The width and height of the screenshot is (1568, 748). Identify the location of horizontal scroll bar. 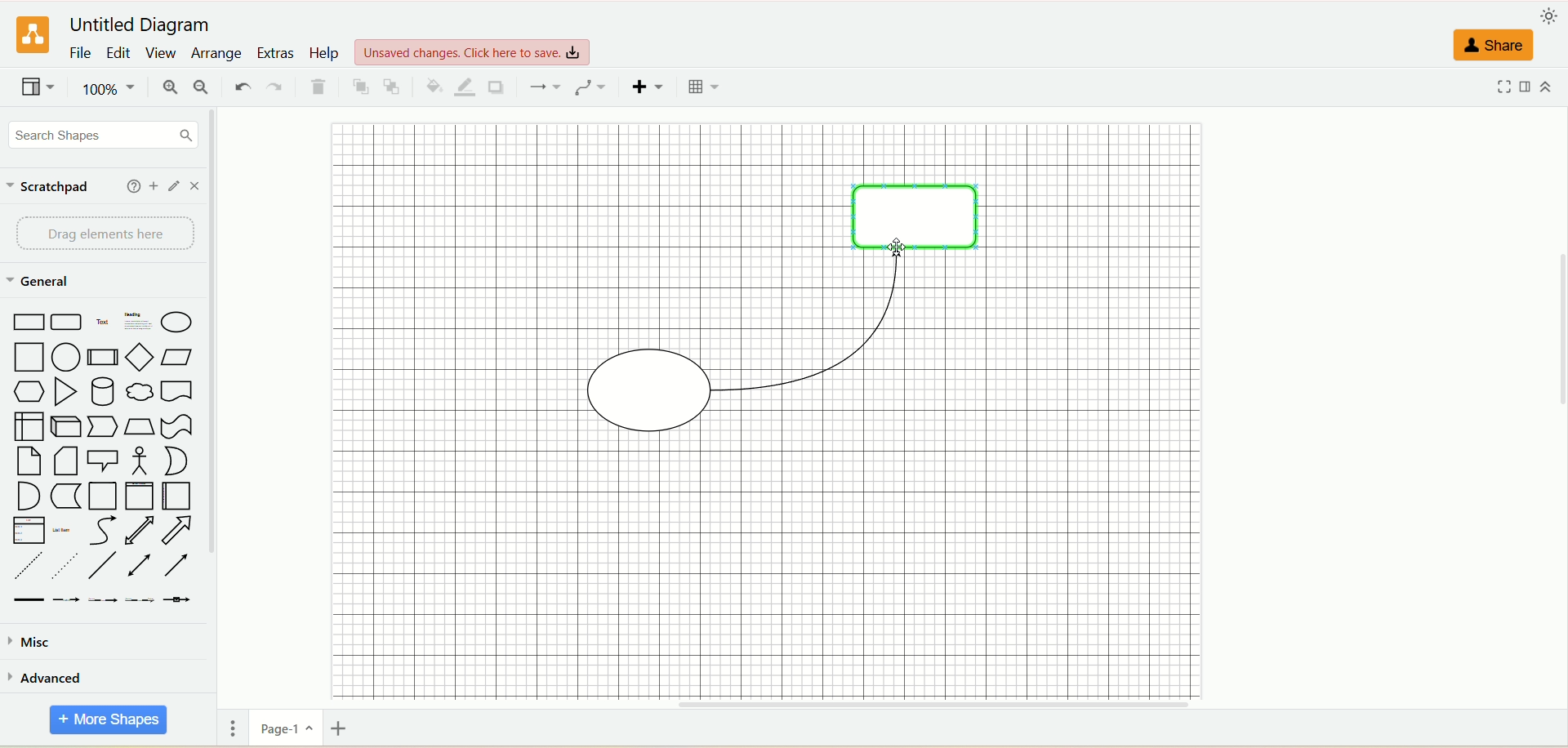
(889, 705).